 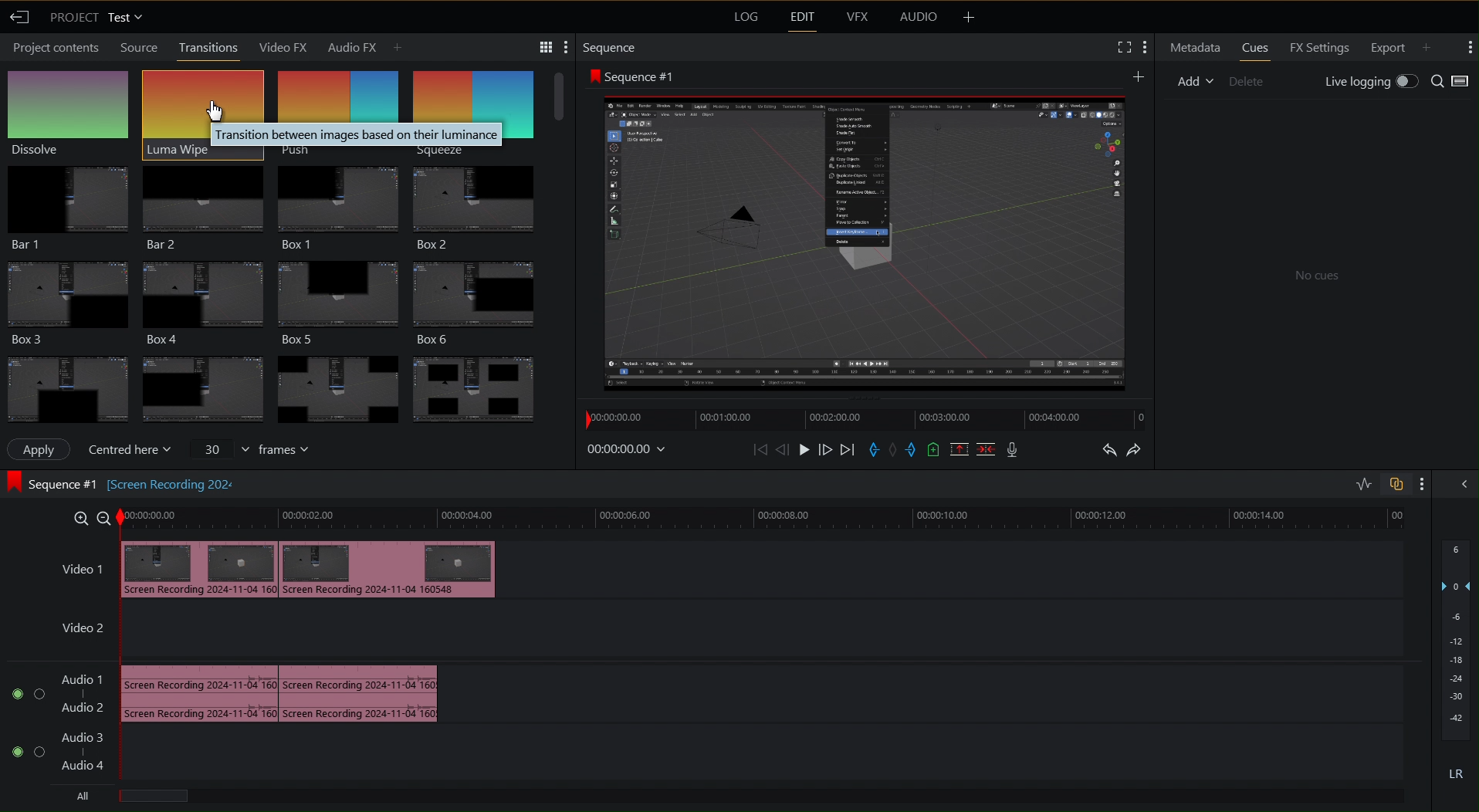 I want to click on Remove Marker, so click(x=895, y=450).